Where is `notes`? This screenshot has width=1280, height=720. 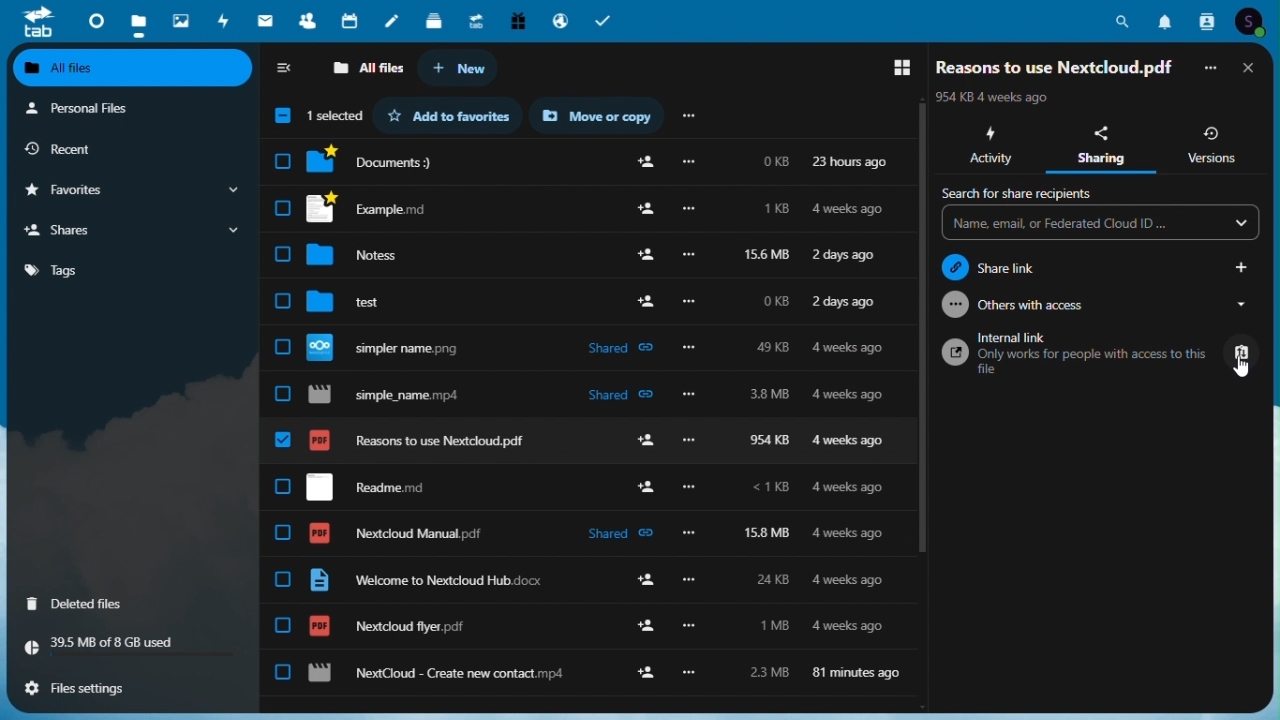
notes is located at coordinates (372, 255).